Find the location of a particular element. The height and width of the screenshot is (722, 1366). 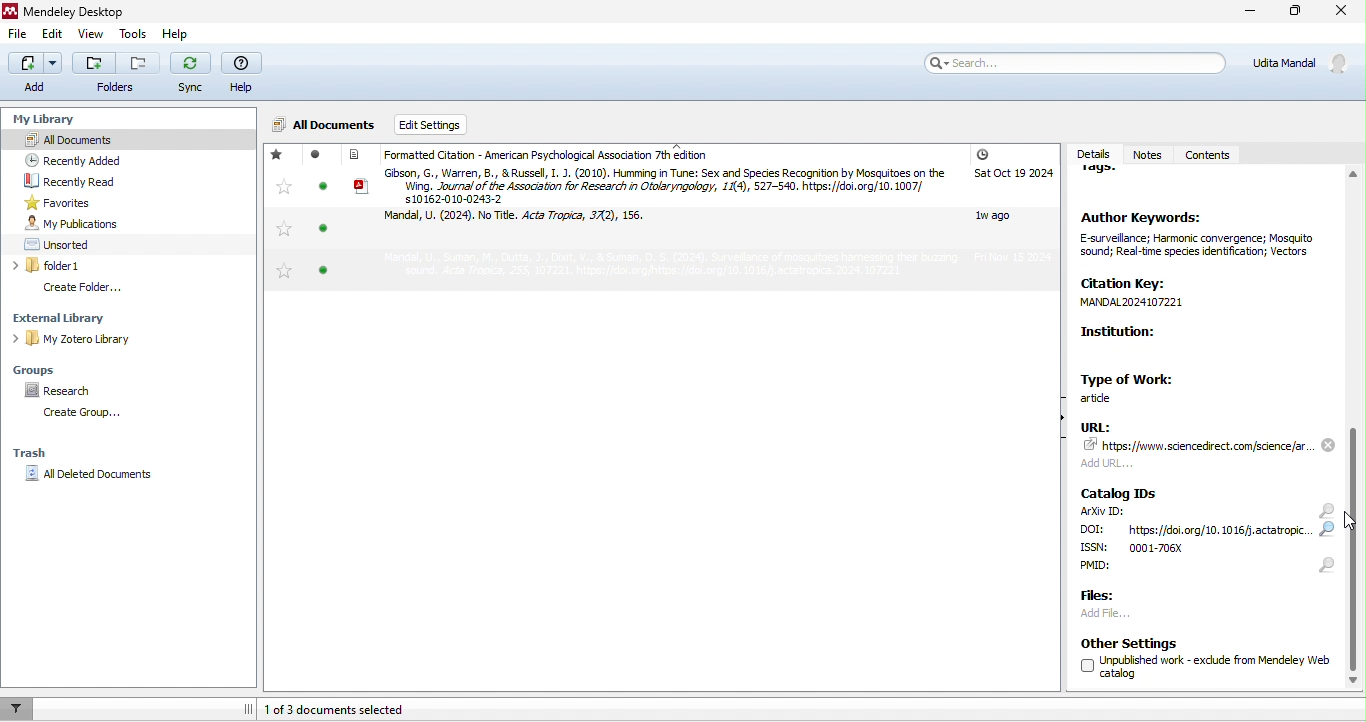

files is located at coordinates (1104, 597).